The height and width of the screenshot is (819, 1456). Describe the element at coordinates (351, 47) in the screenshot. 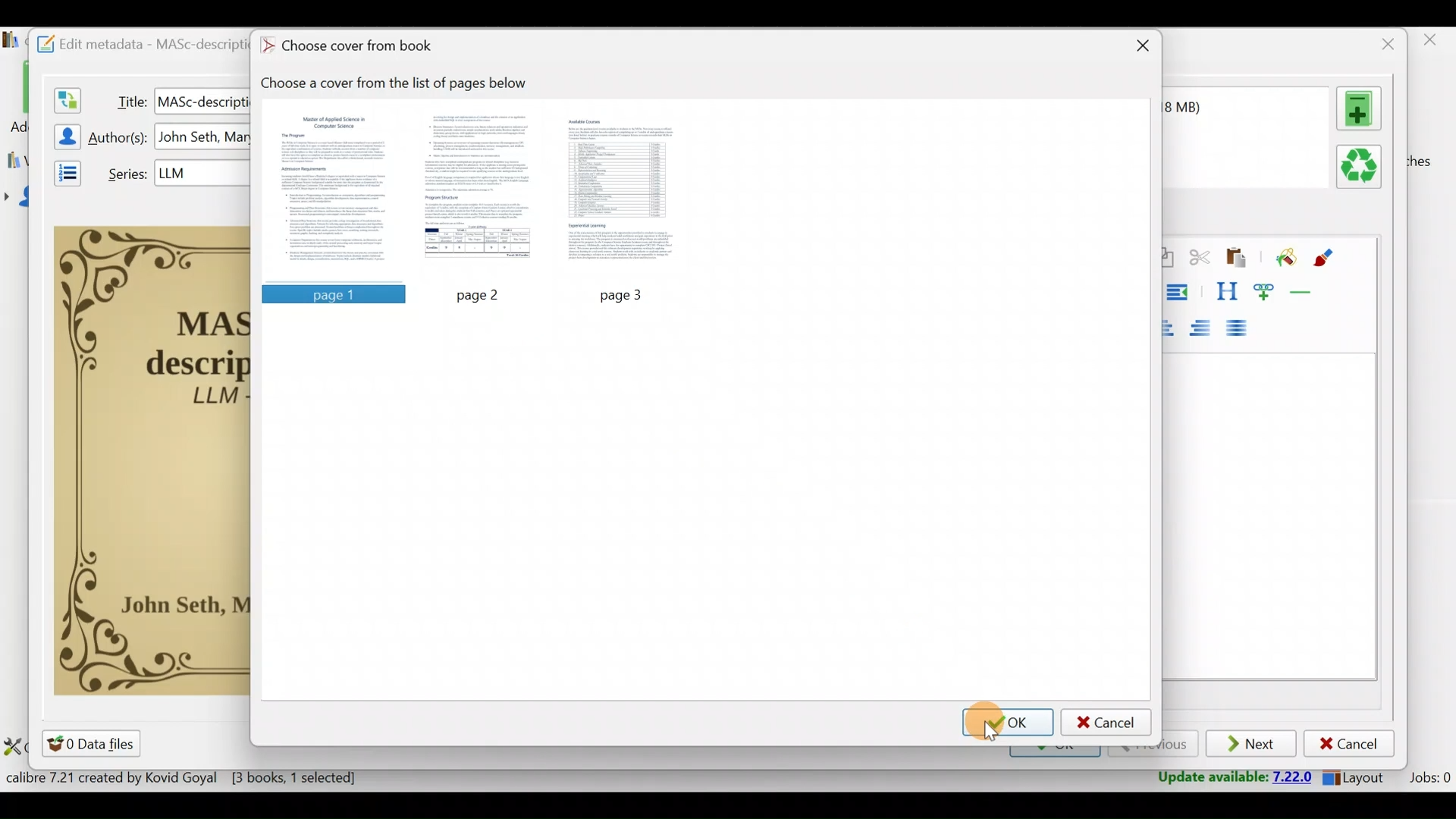

I see `Choose cover from book` at that location.